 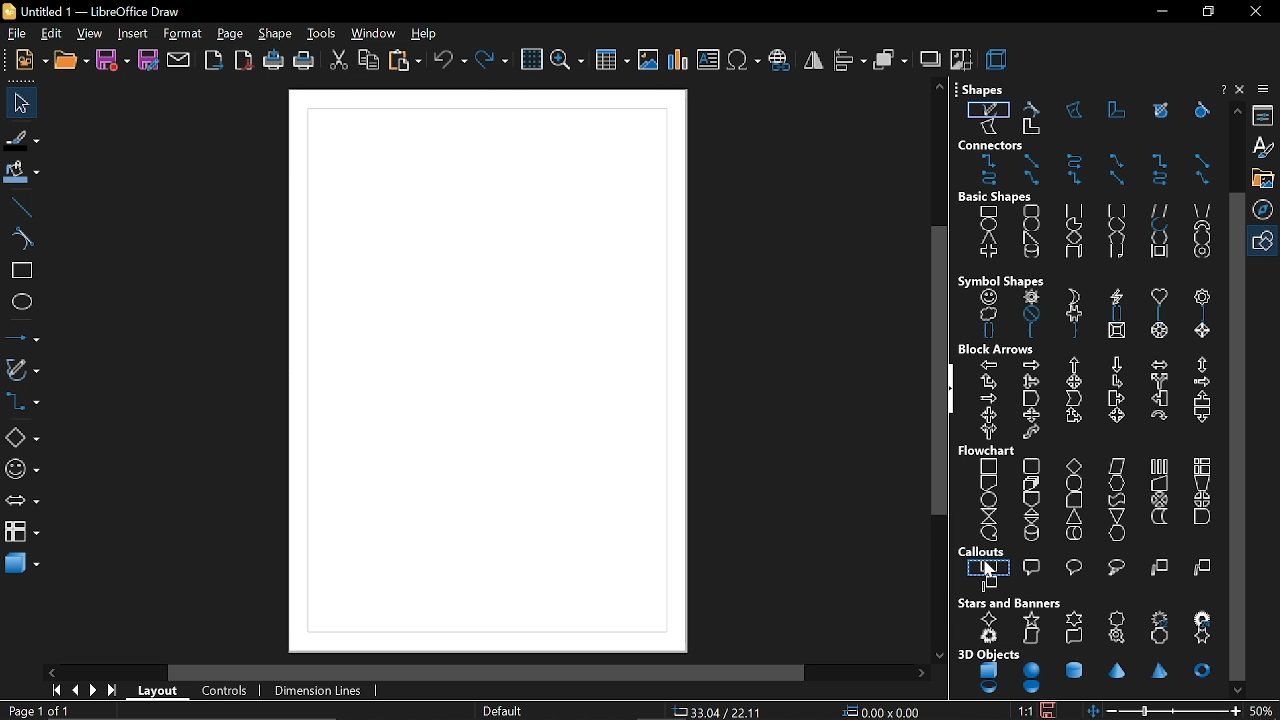 I want to click on free form line, so click(x=988, y=108).